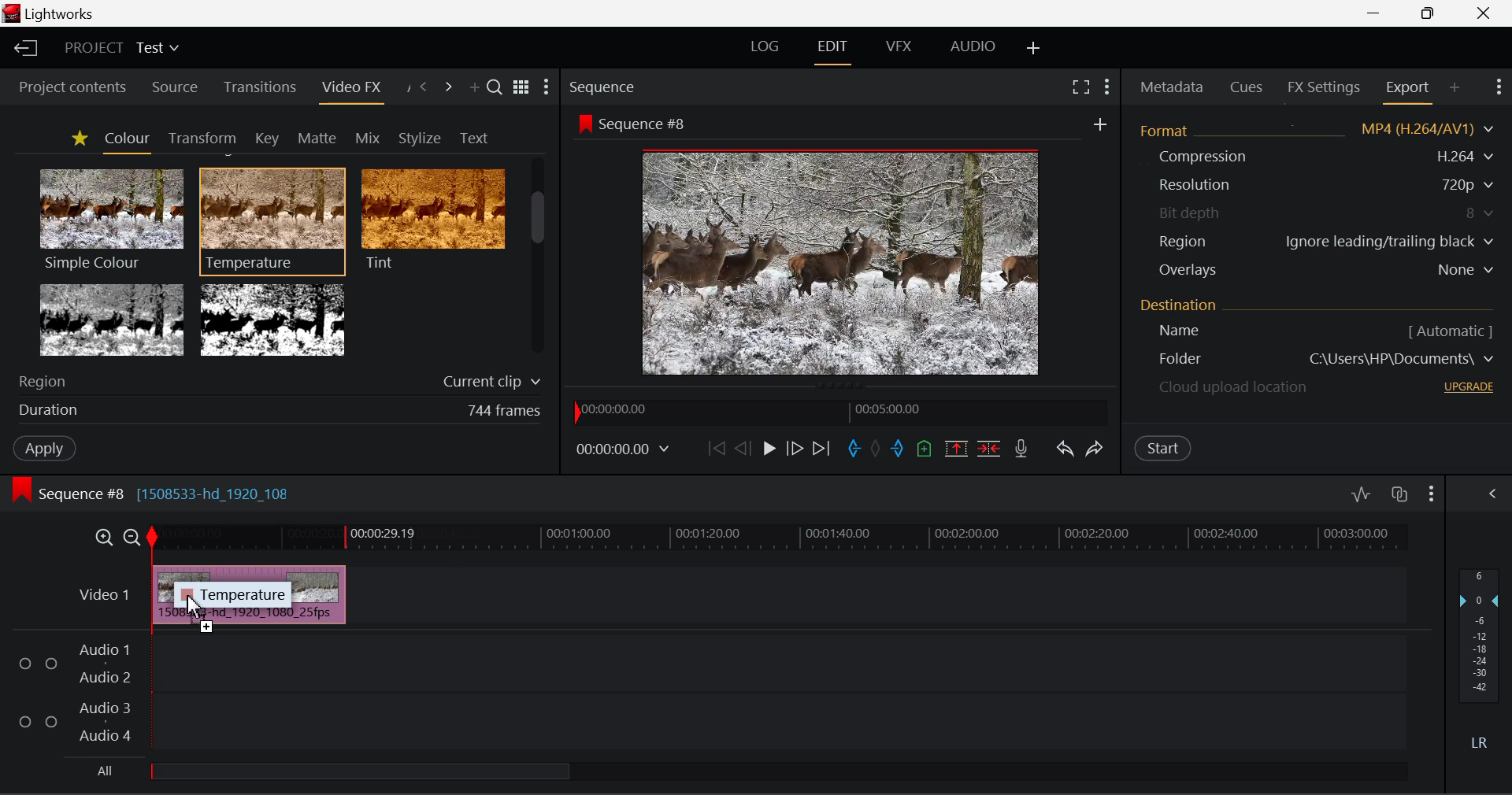  What do you see at coordinates (1469, 386) in the screenshot?
I see `UPGRADE` at bounding box center [1469, 386].